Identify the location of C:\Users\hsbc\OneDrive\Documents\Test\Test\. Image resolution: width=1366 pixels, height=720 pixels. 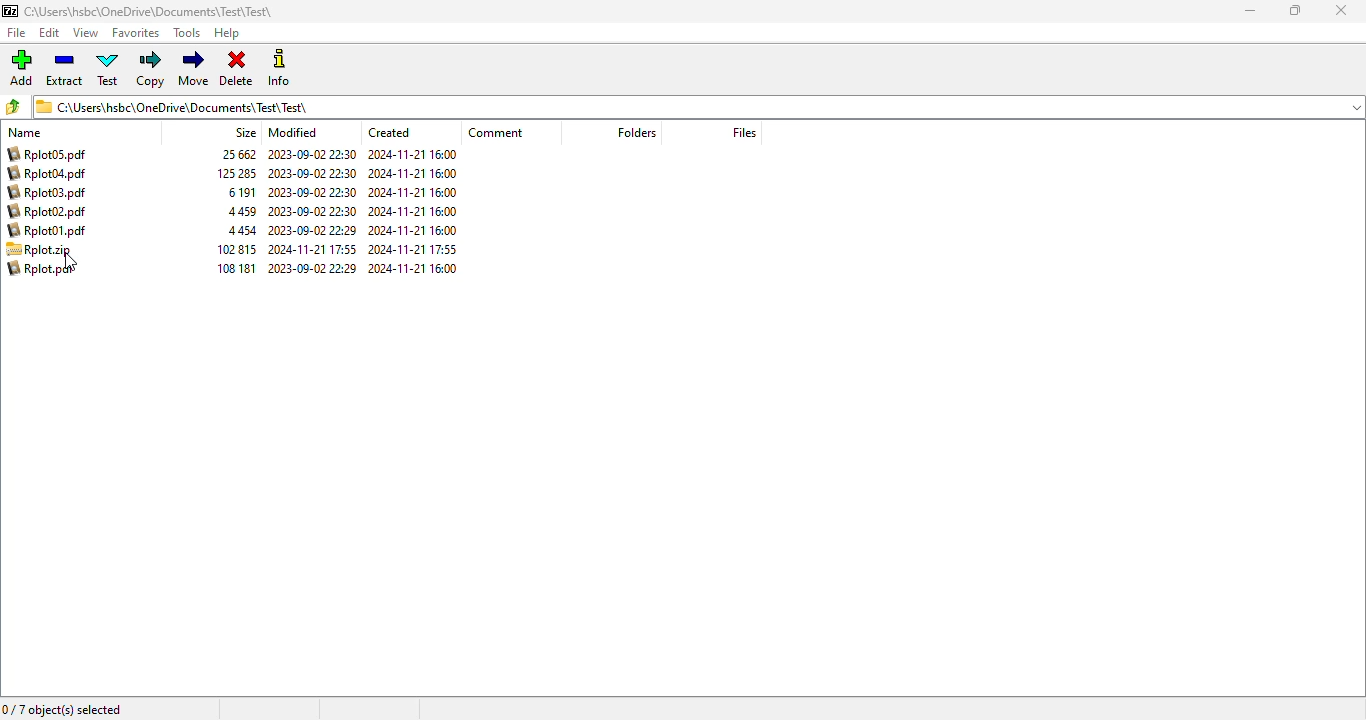
(144, 12).